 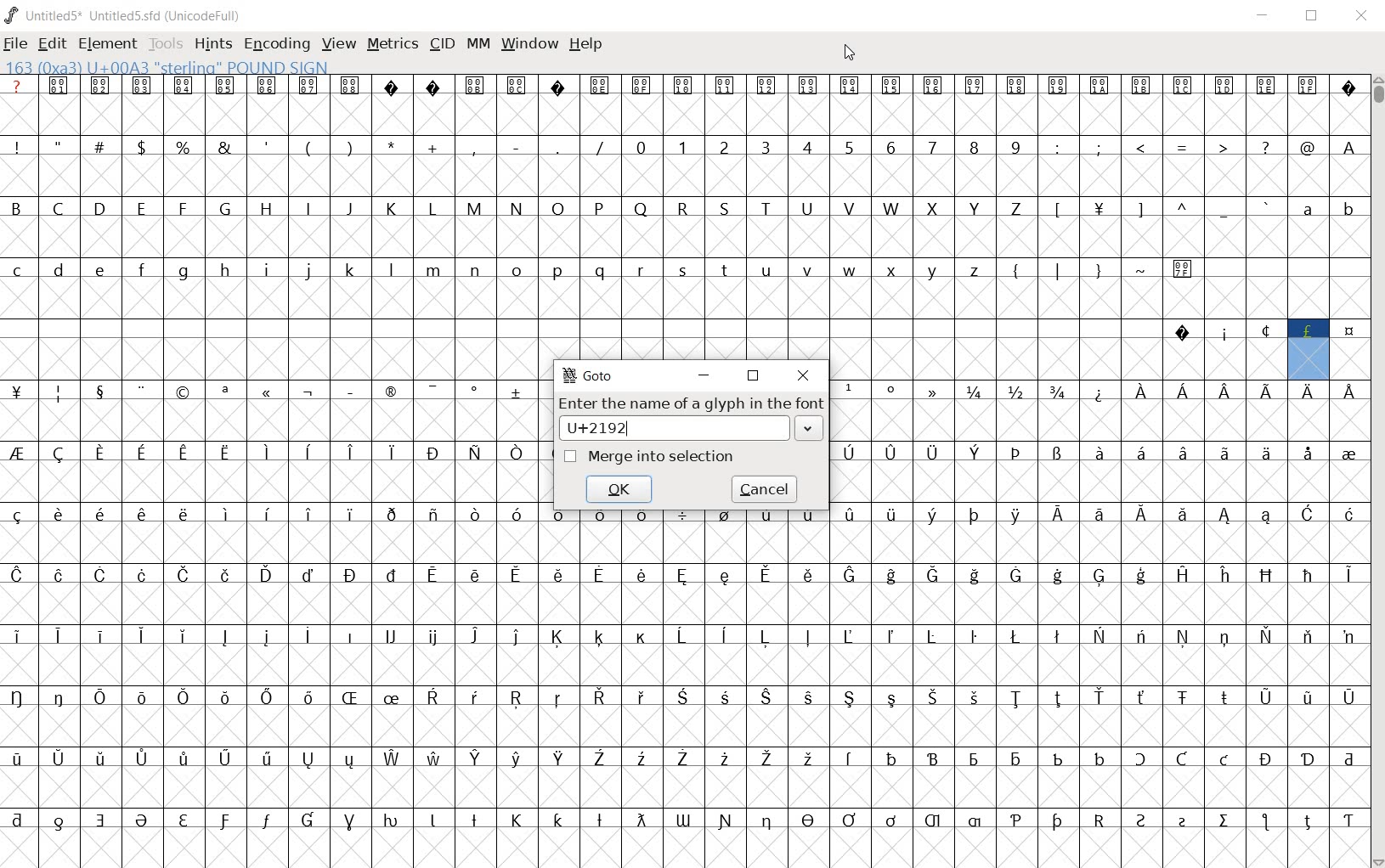 What do you see at coordinates (850, 54) in the screenshot?
I see `CURSOR` at bounding box center [850, 54].